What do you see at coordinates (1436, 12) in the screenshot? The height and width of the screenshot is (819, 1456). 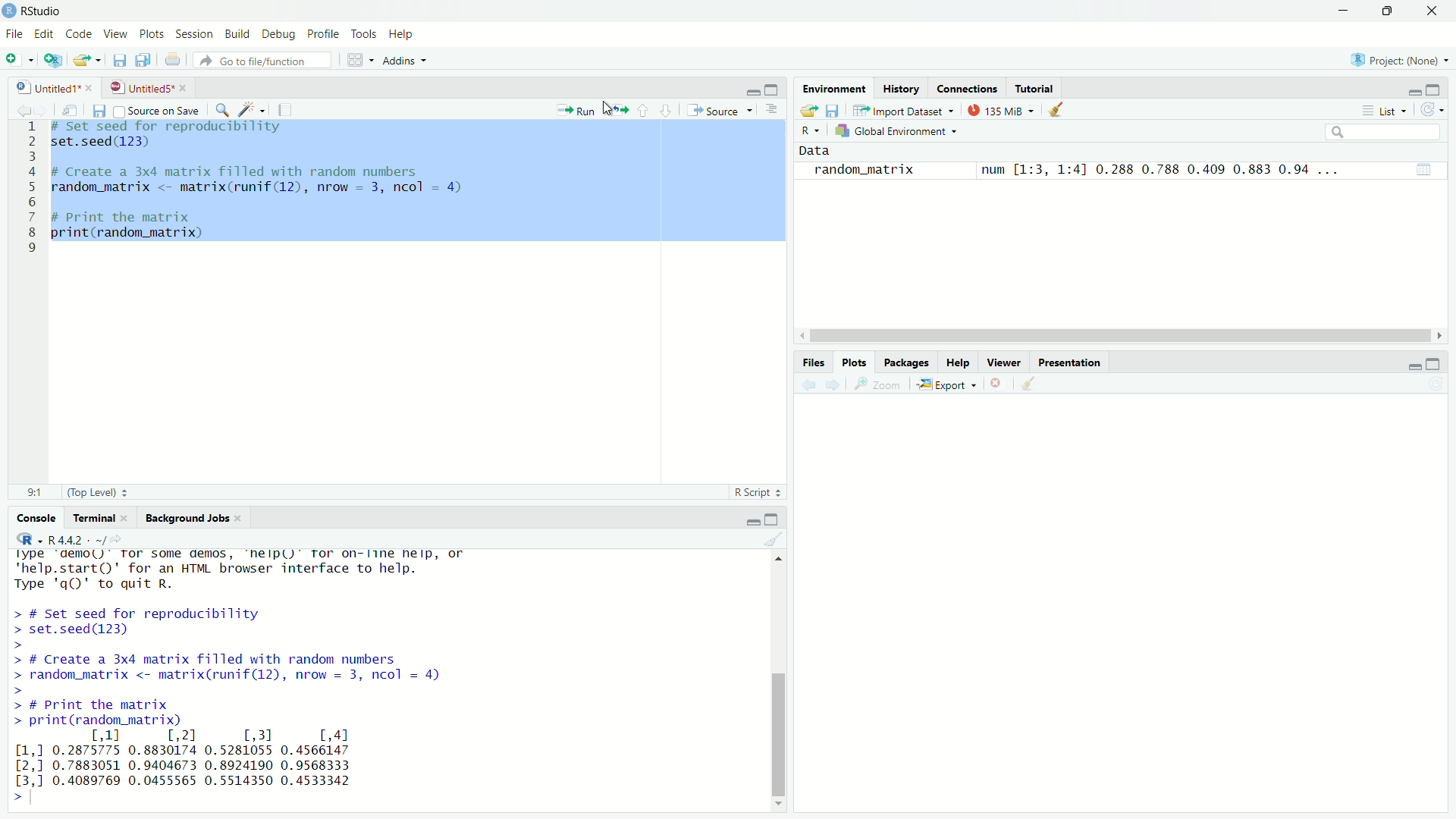 I see `close` at bounding box center [1436, 12].